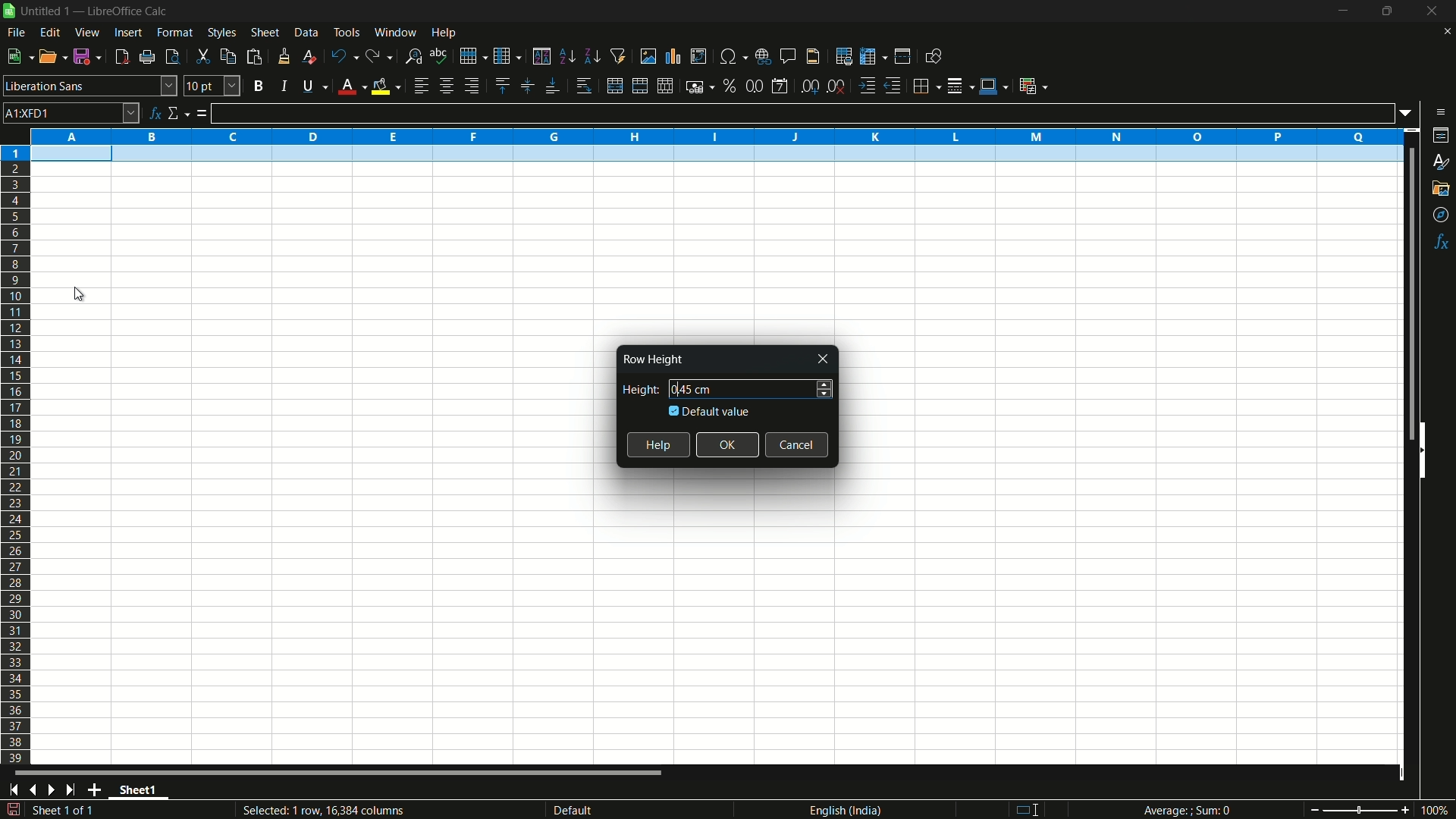  I want to click on view menu, so click(88, 33).